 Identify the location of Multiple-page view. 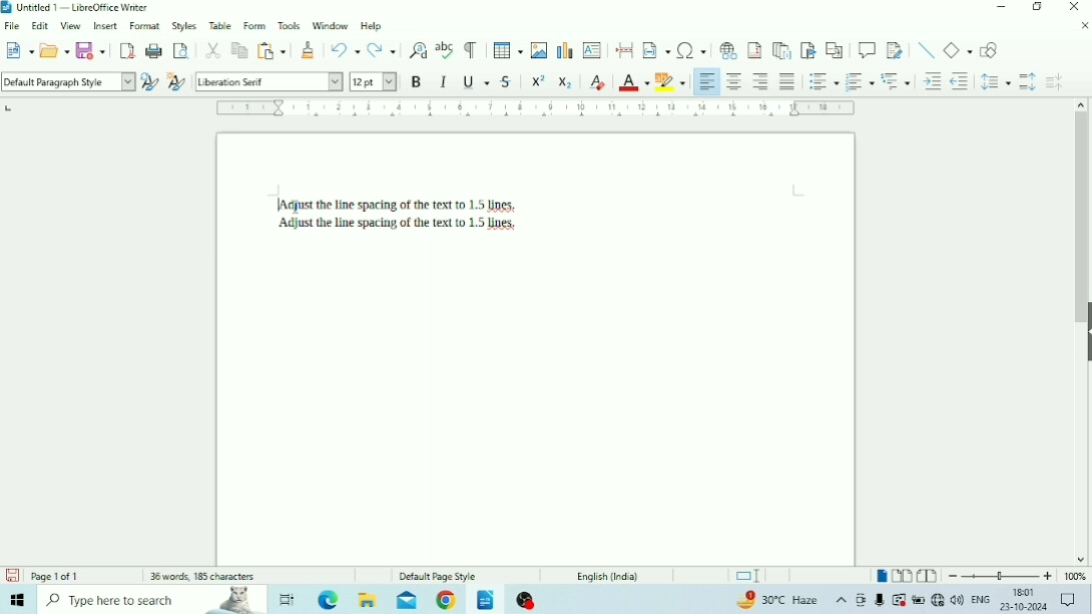
(902, 576).